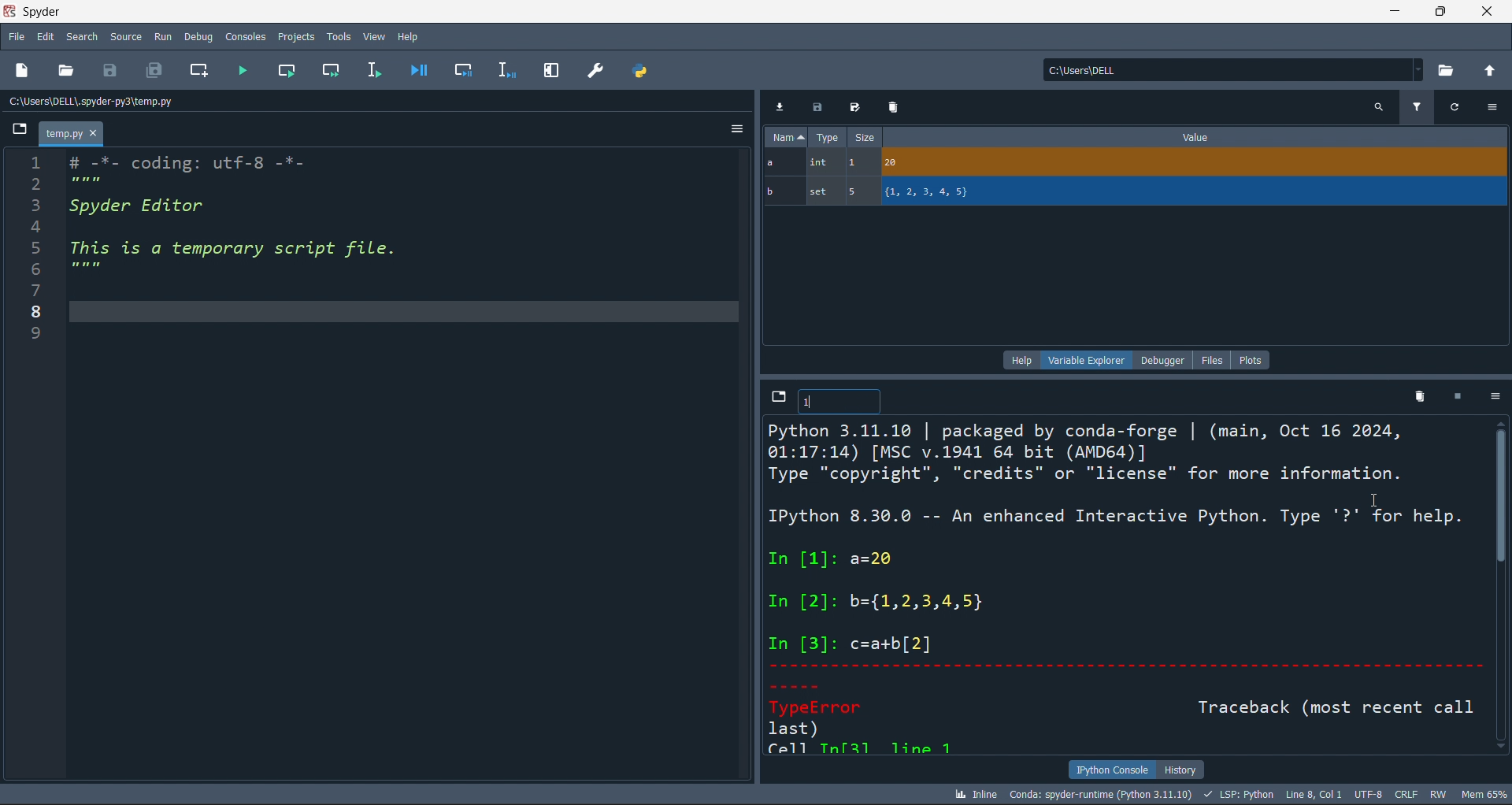 The image size is (1512, 805). Describe the element at coordinates (1453, 397) in the screenshot. I see `close kernel` at that location.